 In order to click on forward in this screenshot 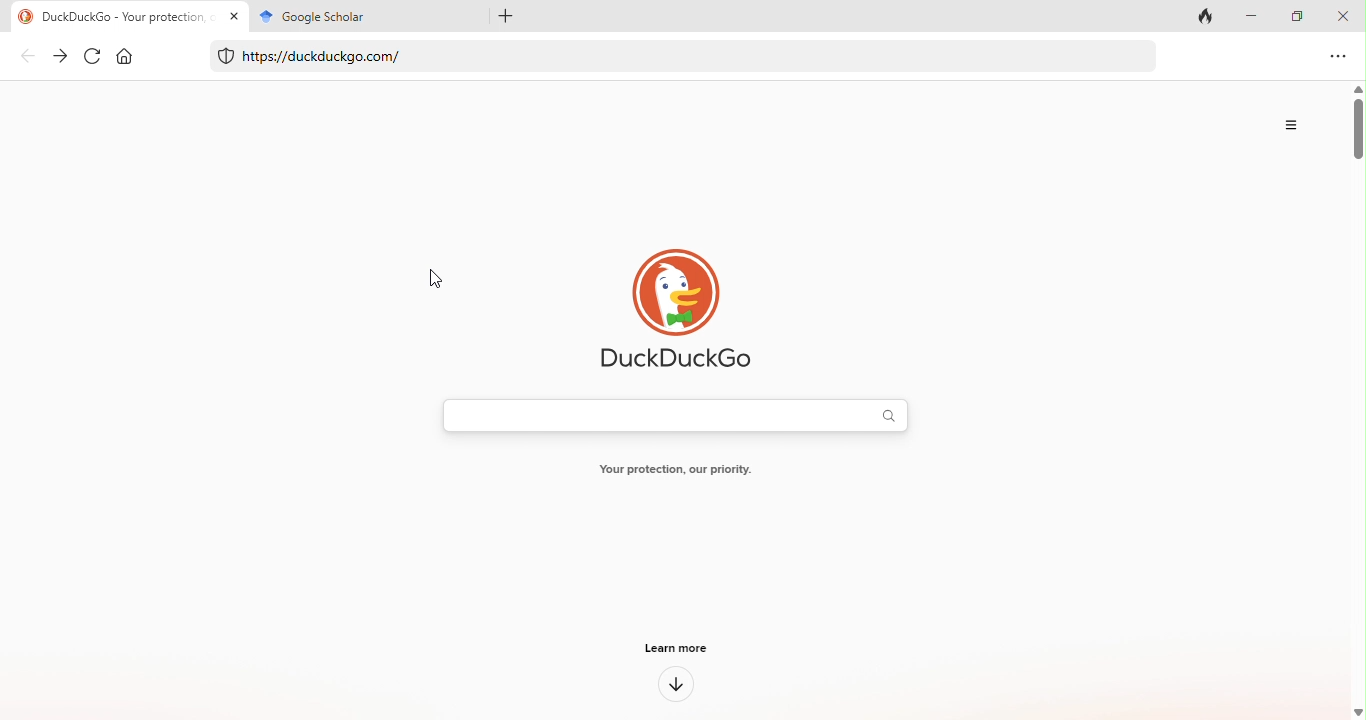, I will do `click(60, 57)`.